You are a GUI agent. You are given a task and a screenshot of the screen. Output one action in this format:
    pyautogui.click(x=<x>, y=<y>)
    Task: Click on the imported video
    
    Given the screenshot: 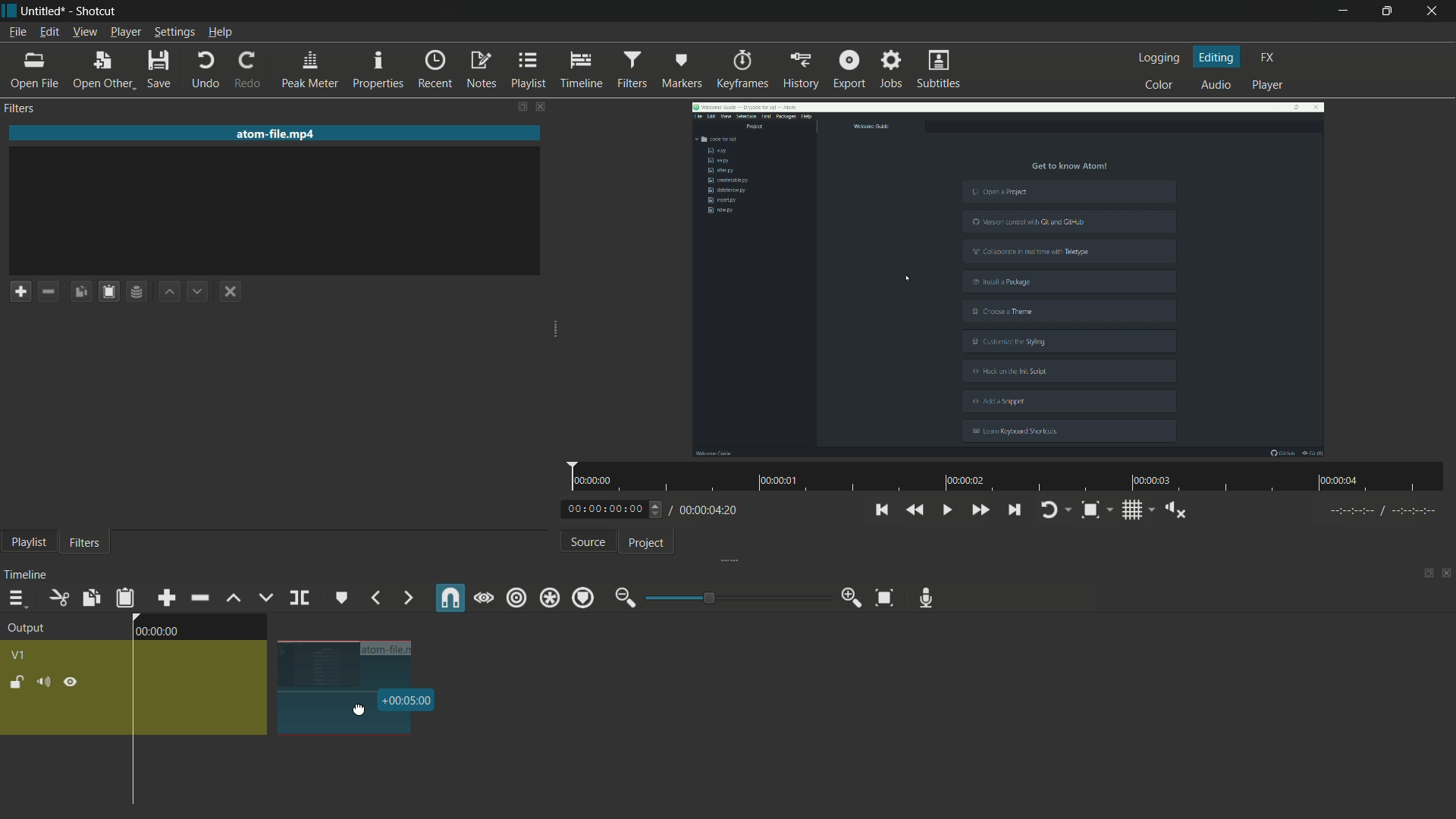 What is the action you would take?
    pyautogui.click(x=1009, y=281)
    